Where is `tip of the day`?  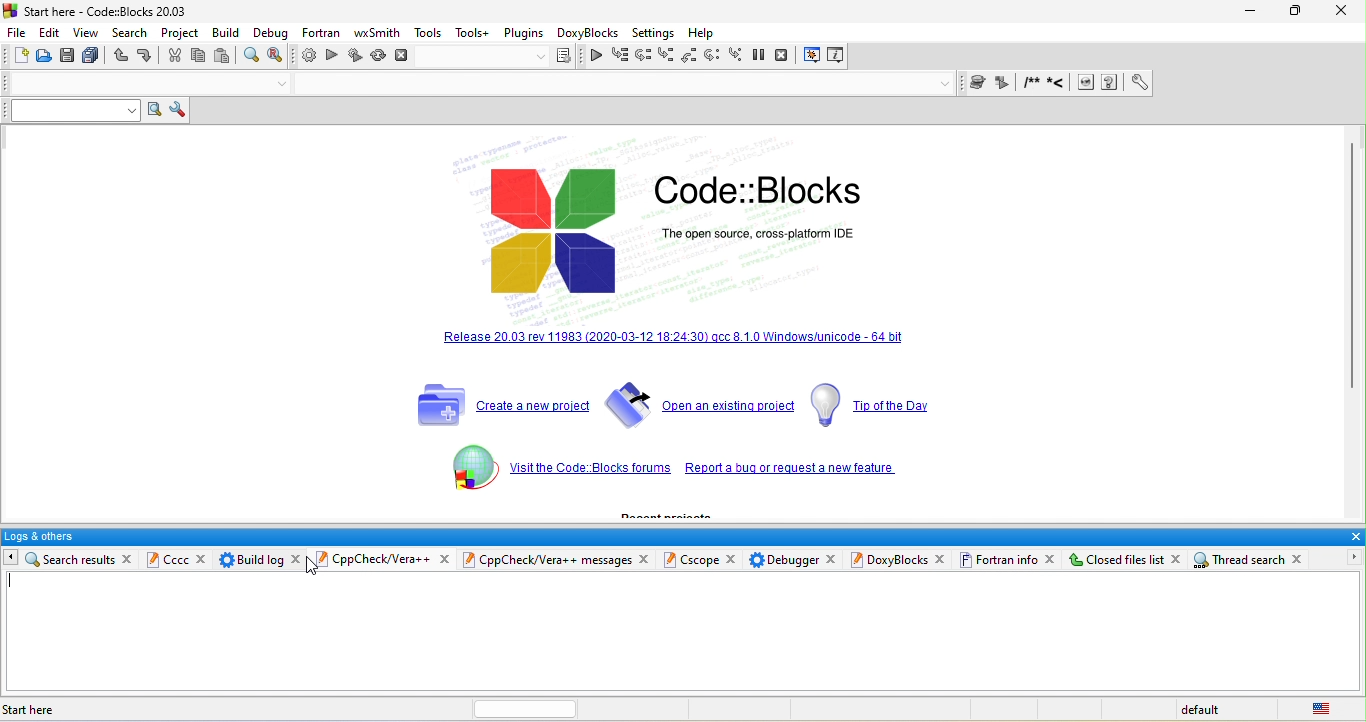
tip of the day is located at coordinates (873, 405).